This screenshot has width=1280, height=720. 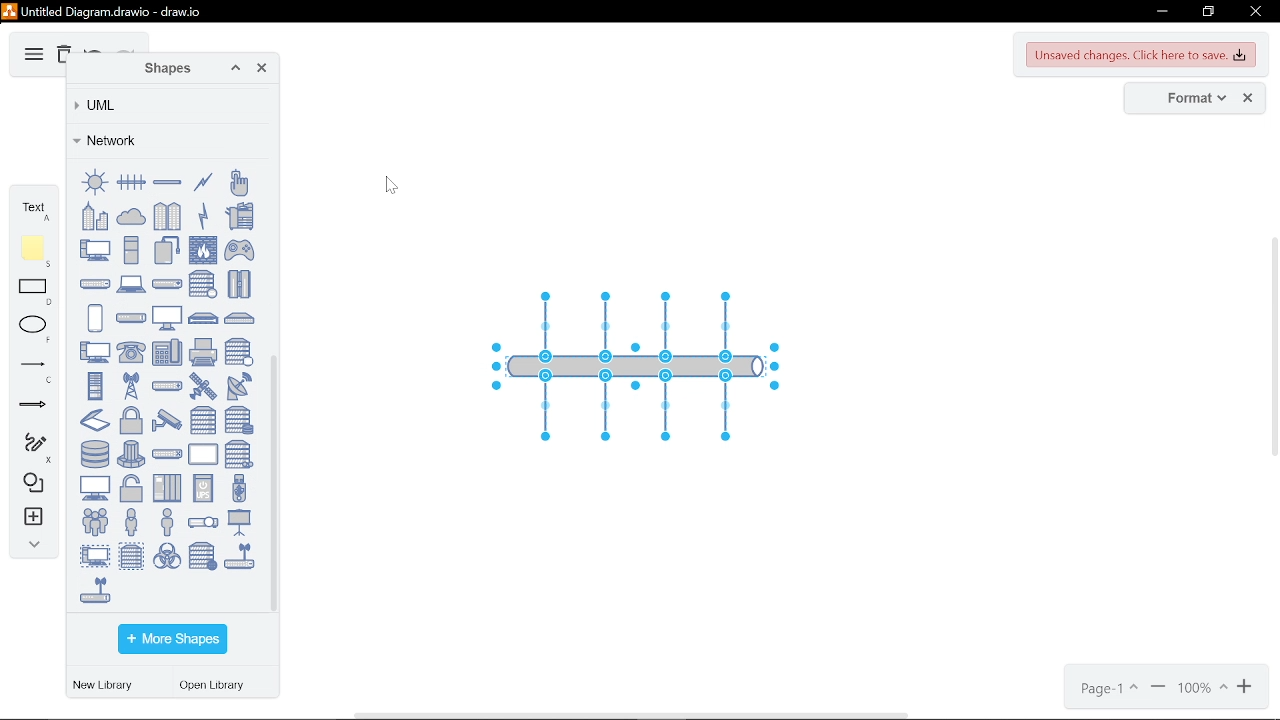 What do you see at coordinates (167, 283) in the screenshot?
I see `load balancer` at bounding box center [167, 283].